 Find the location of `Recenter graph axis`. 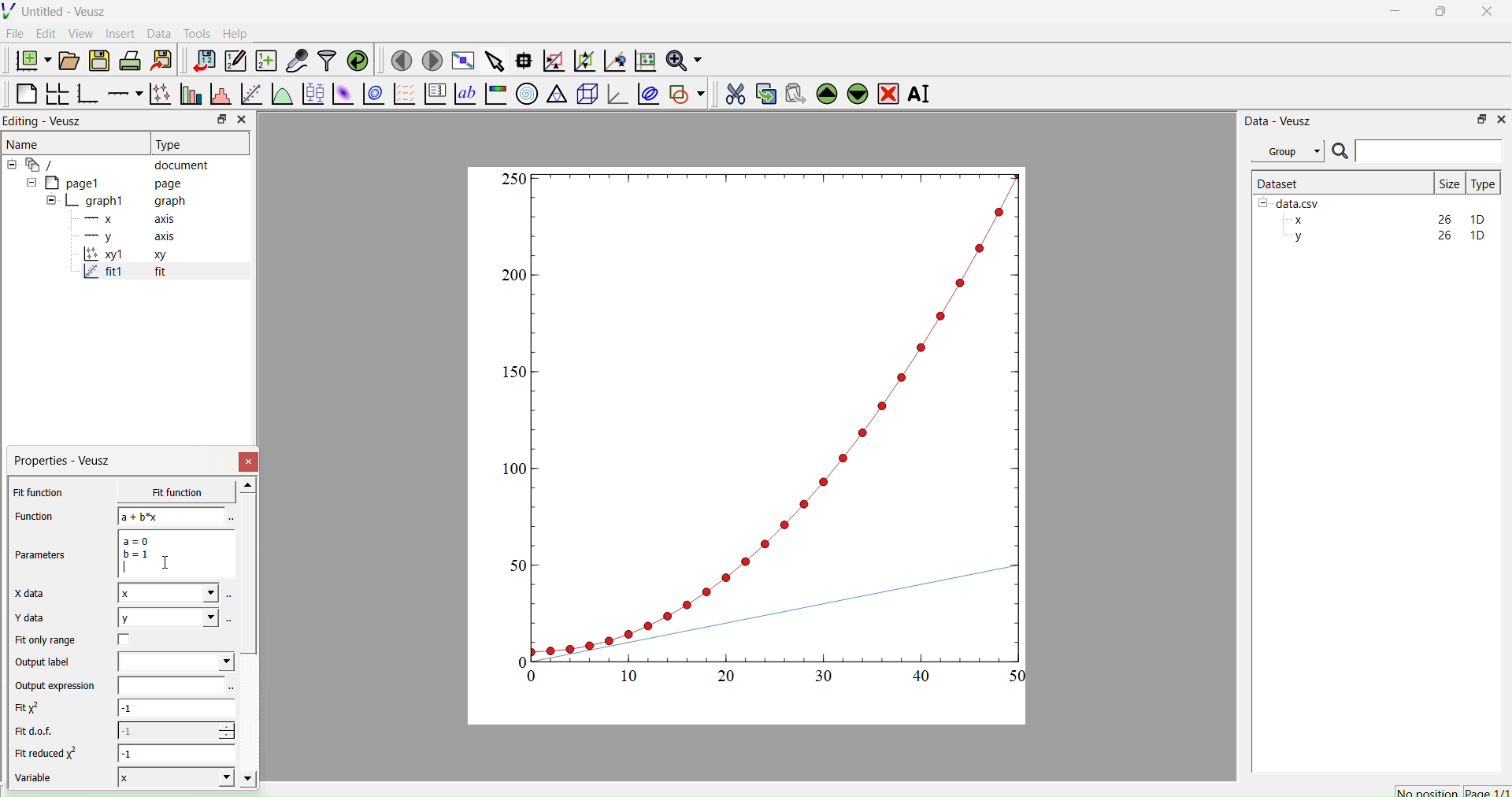

Recenter graph axis is located at coordinates (613, 60).